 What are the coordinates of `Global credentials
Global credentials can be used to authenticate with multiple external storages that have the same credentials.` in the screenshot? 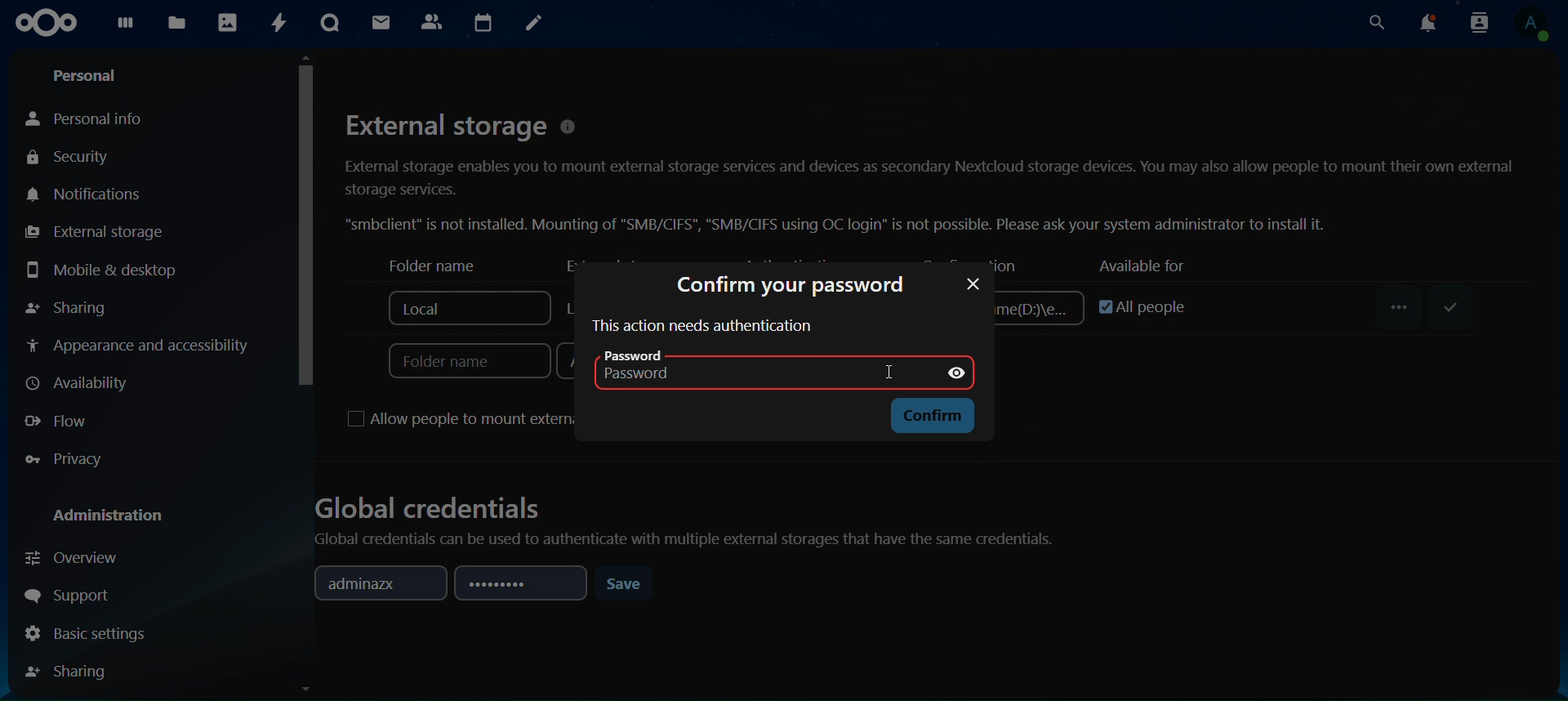 It's located at (695, 516).